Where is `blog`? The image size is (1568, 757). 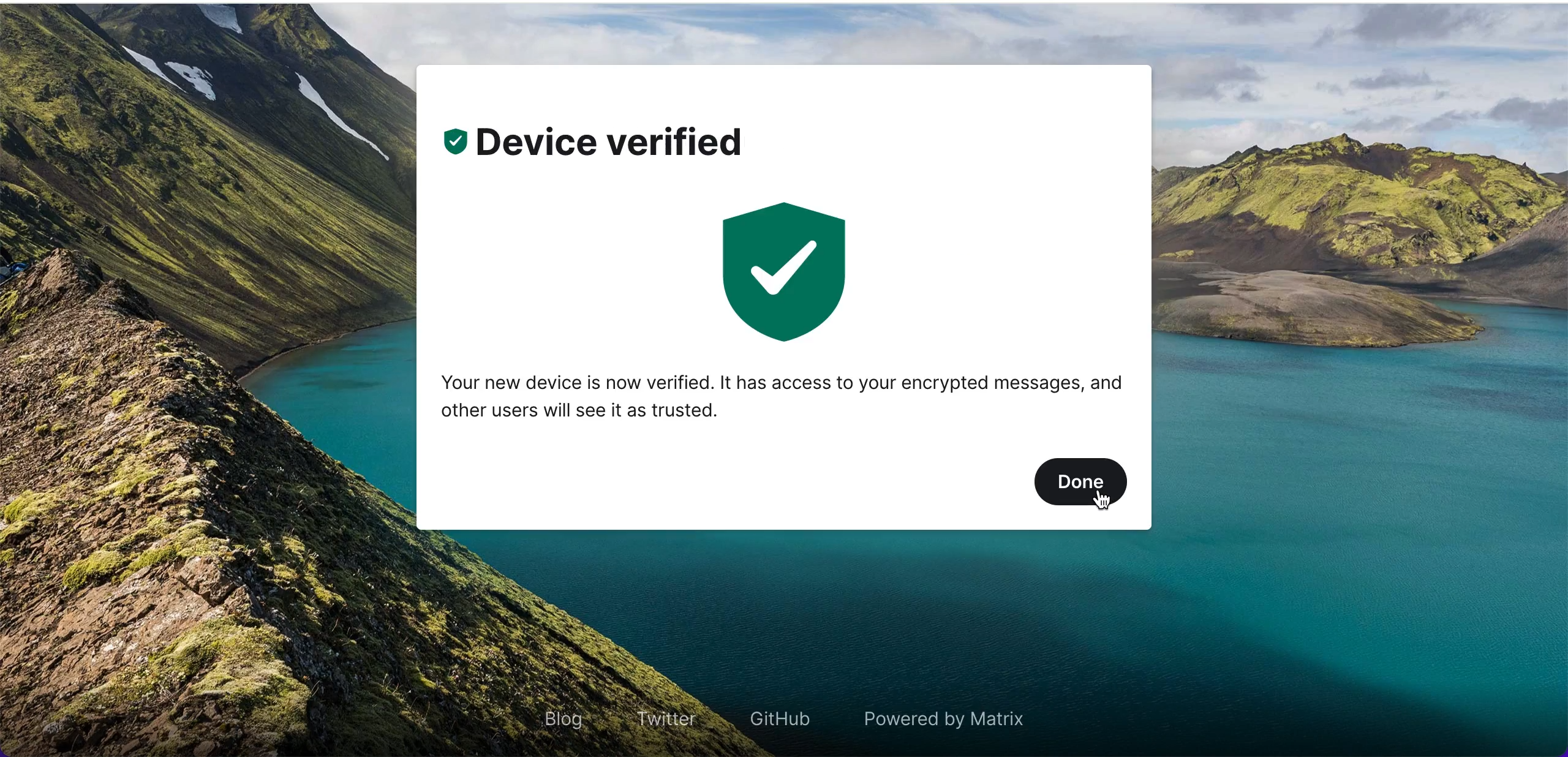
blog is located at coordinates (560, 711).